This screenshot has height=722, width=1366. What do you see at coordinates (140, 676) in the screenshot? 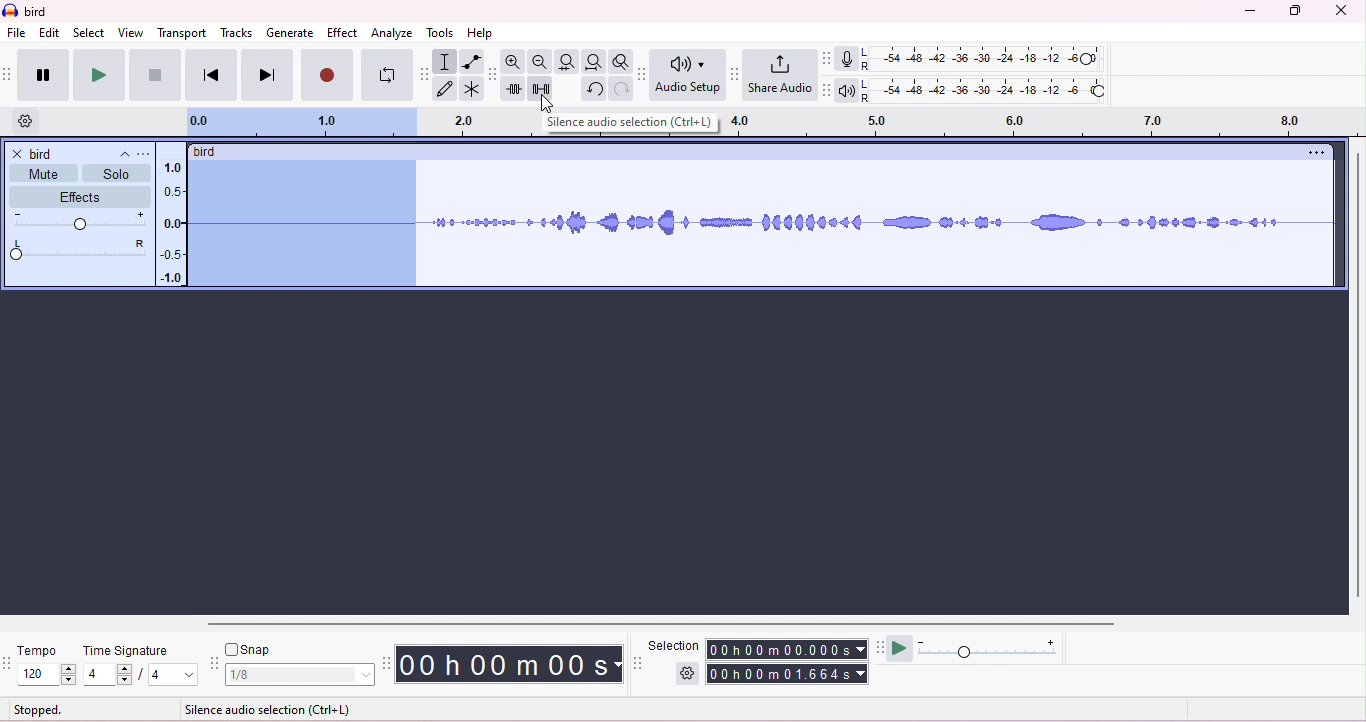
I see `4/4 (select time signature)` at bounding box center [140, 676].